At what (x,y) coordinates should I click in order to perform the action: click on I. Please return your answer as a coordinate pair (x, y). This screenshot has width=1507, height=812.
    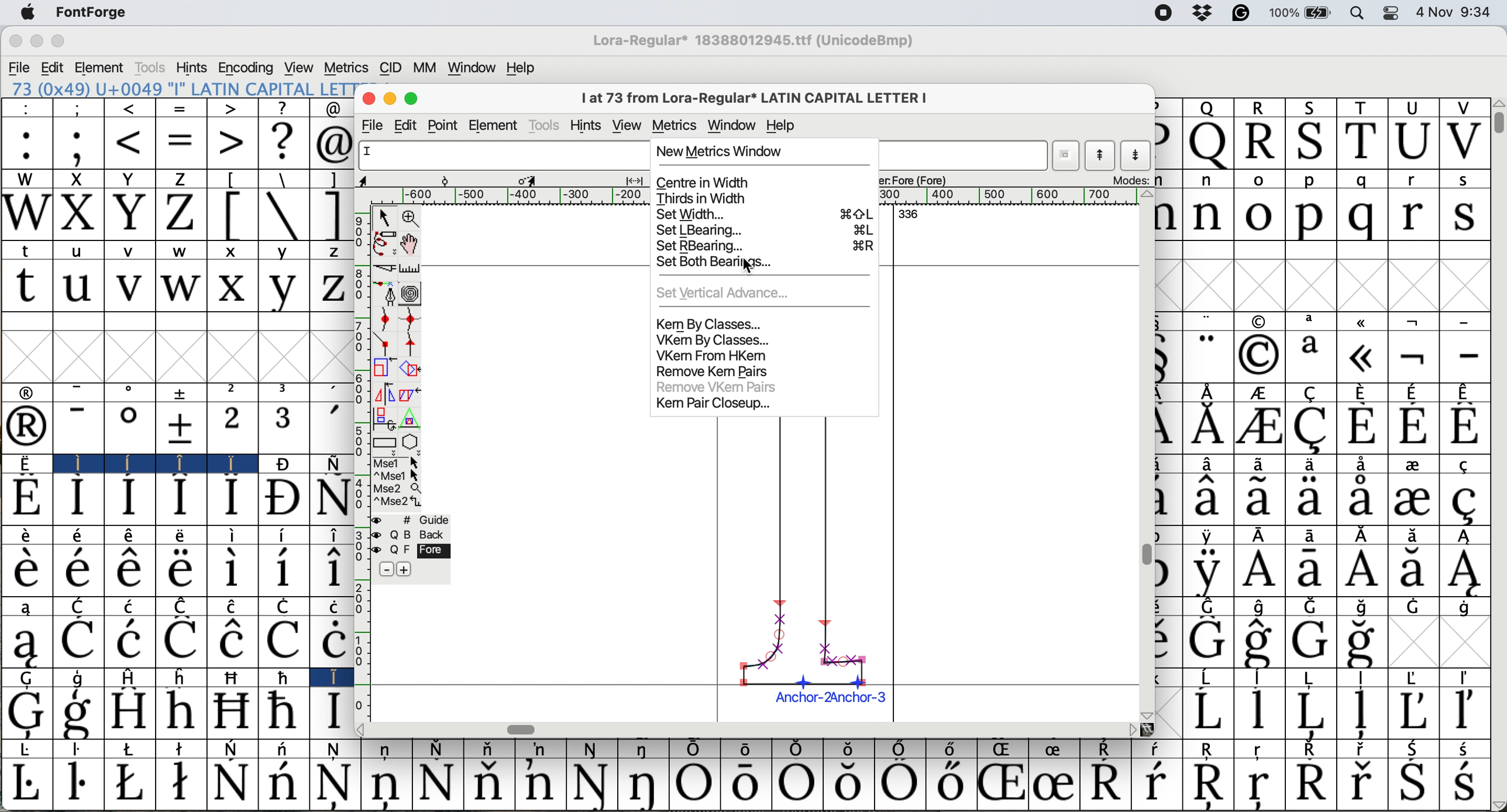
    Looking at the image, I should click on (75, 463).